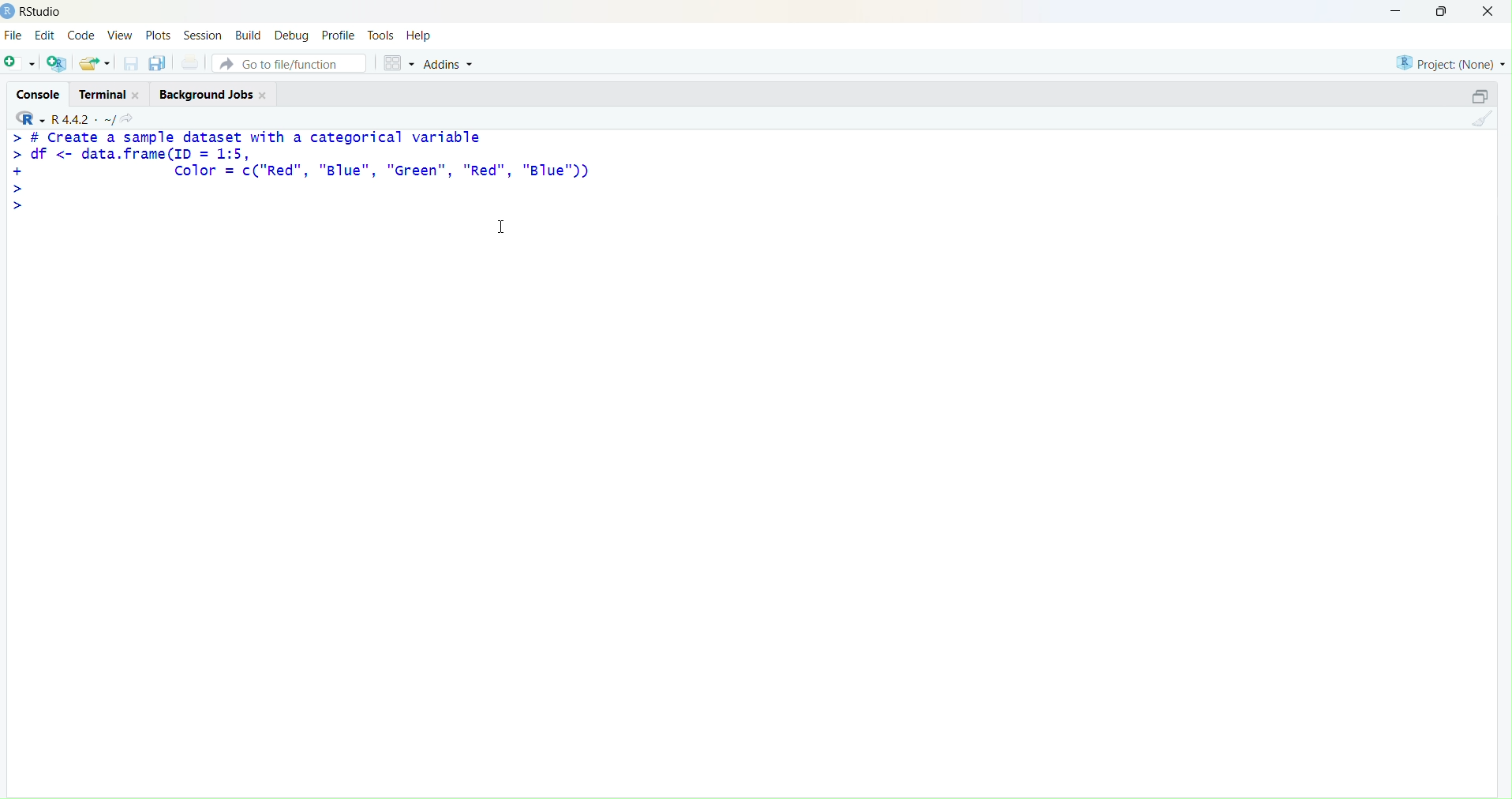 The height and width of the screenshot is (799, 1512). Describe the element at coordinates (1396, 11) in the screenshot. I see `minimise` at that location.